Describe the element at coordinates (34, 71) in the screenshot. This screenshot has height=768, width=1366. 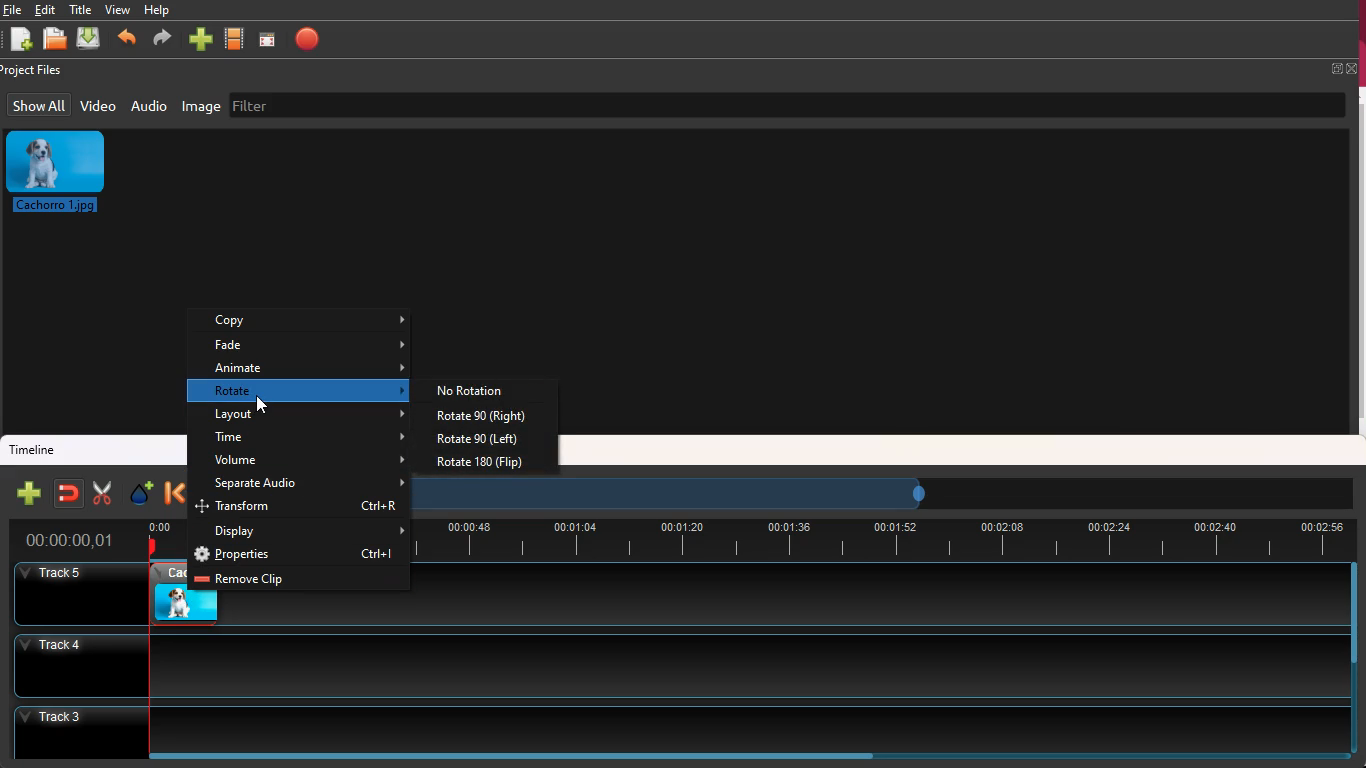
I see `project files` at that location.